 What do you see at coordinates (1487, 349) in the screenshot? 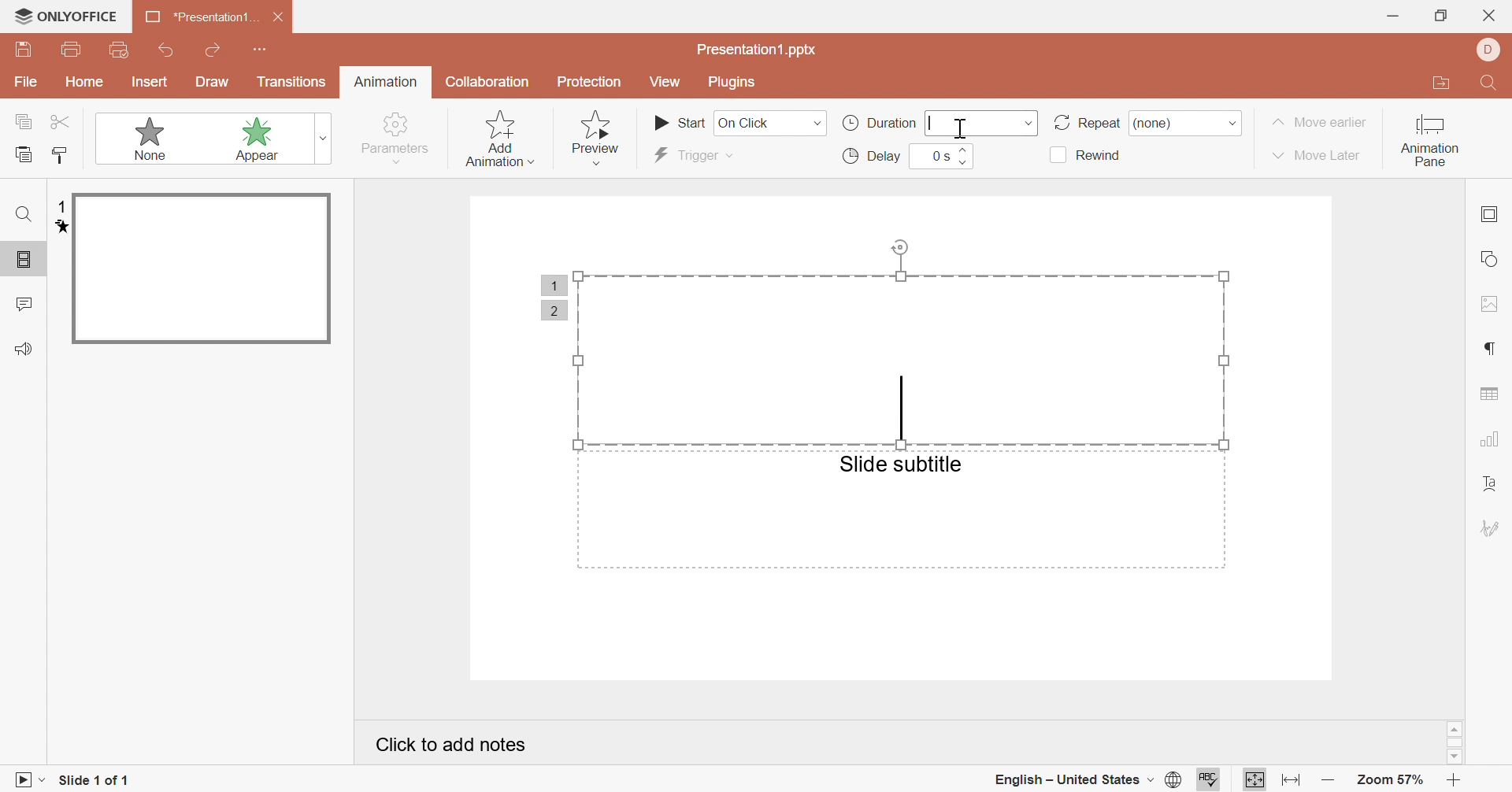
I see `paragraph settings` at bounding box center [1487, 349].